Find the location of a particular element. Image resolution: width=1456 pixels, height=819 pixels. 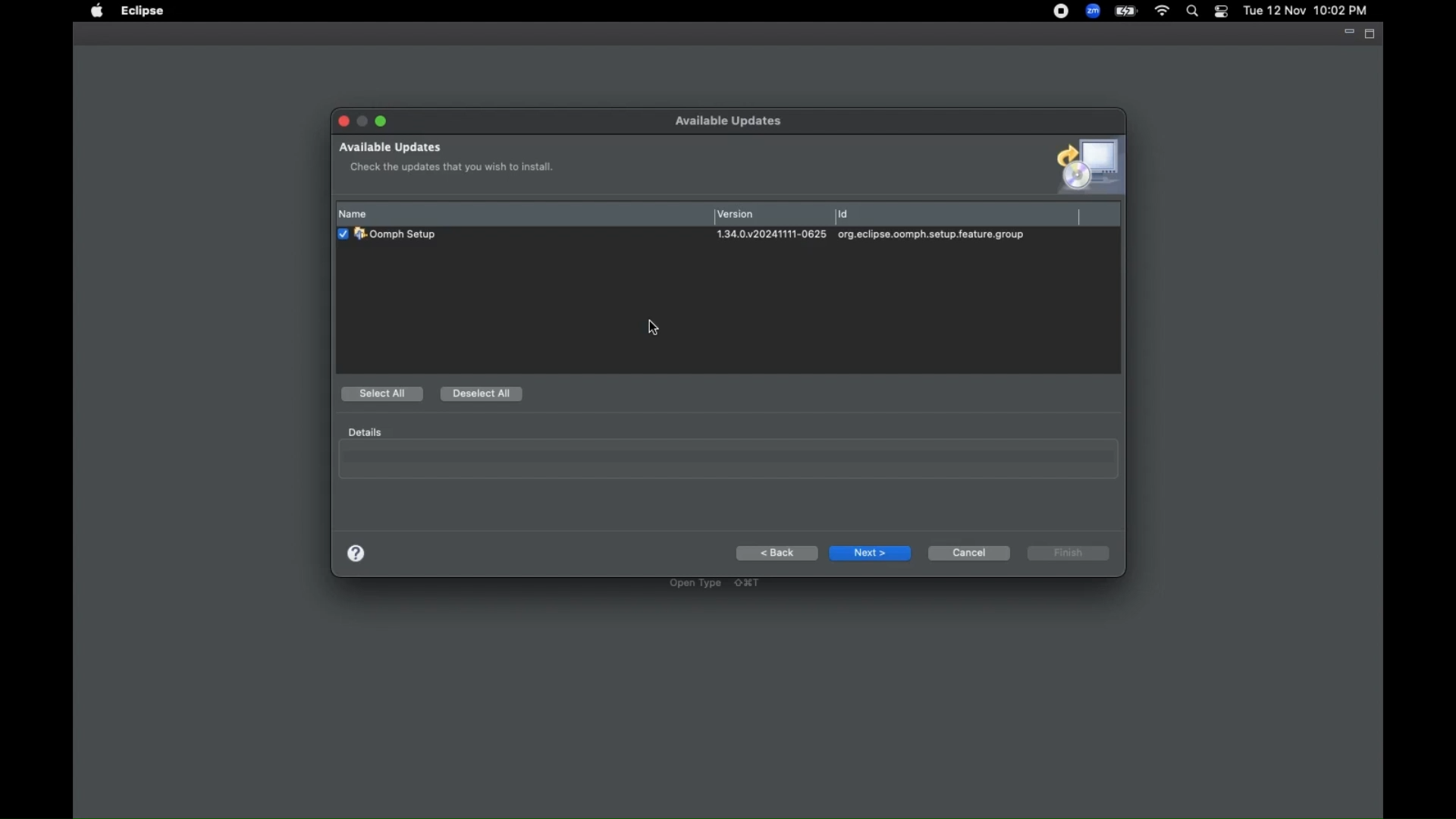

minimize is located at coordinates (1345, 33).